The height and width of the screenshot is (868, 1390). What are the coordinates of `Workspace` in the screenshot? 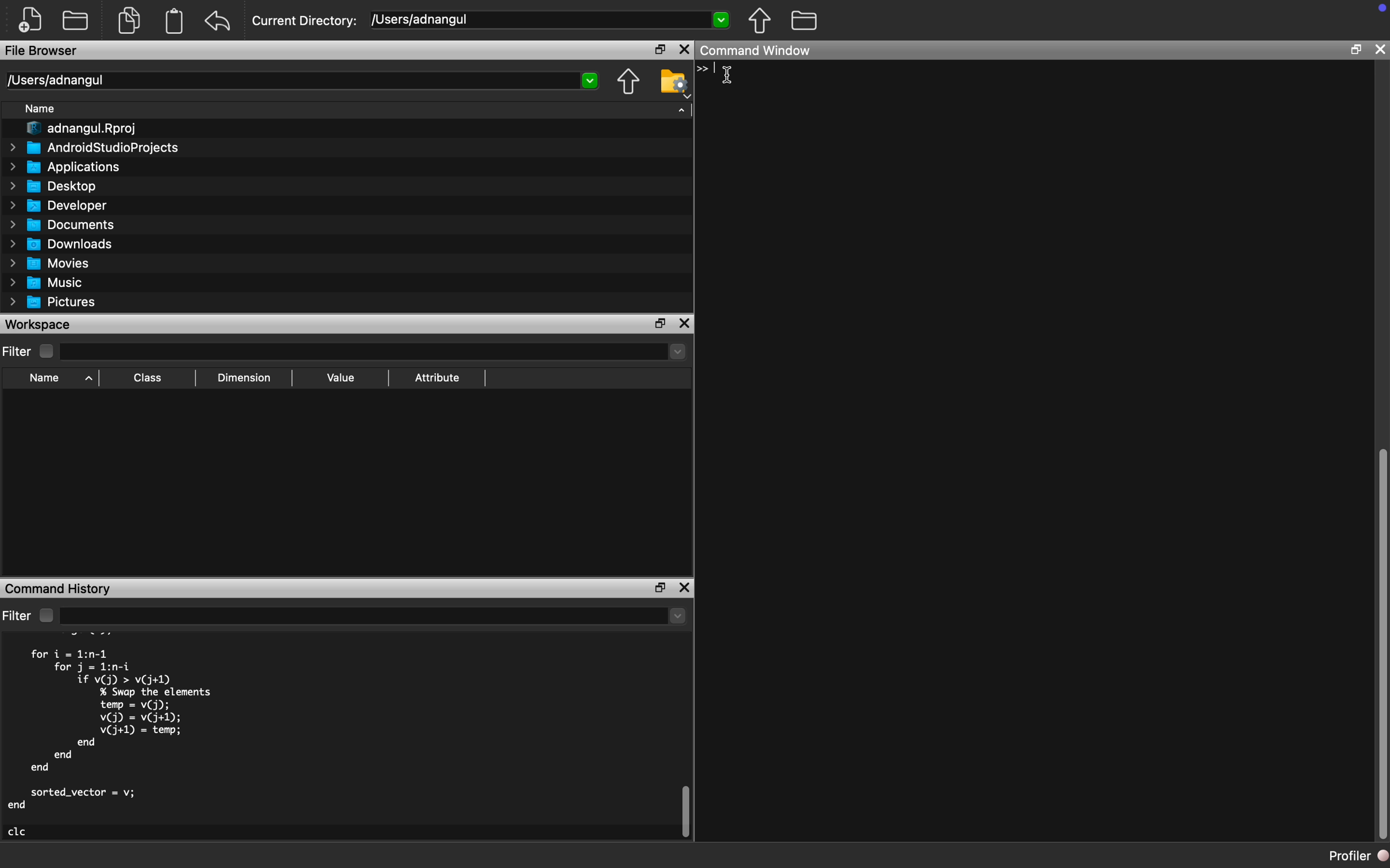 It's located at (41, 324).